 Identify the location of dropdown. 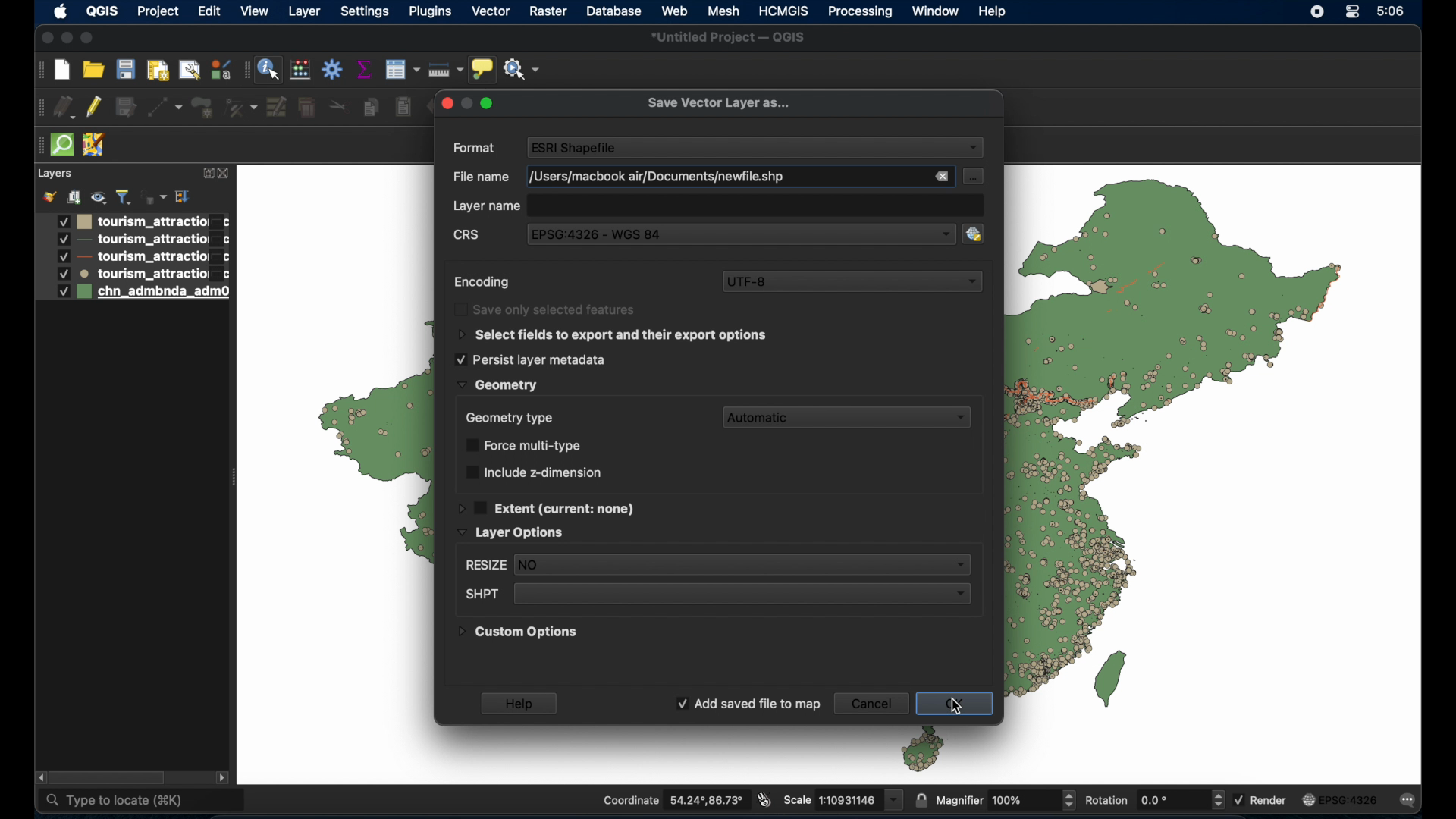
(974, 149).